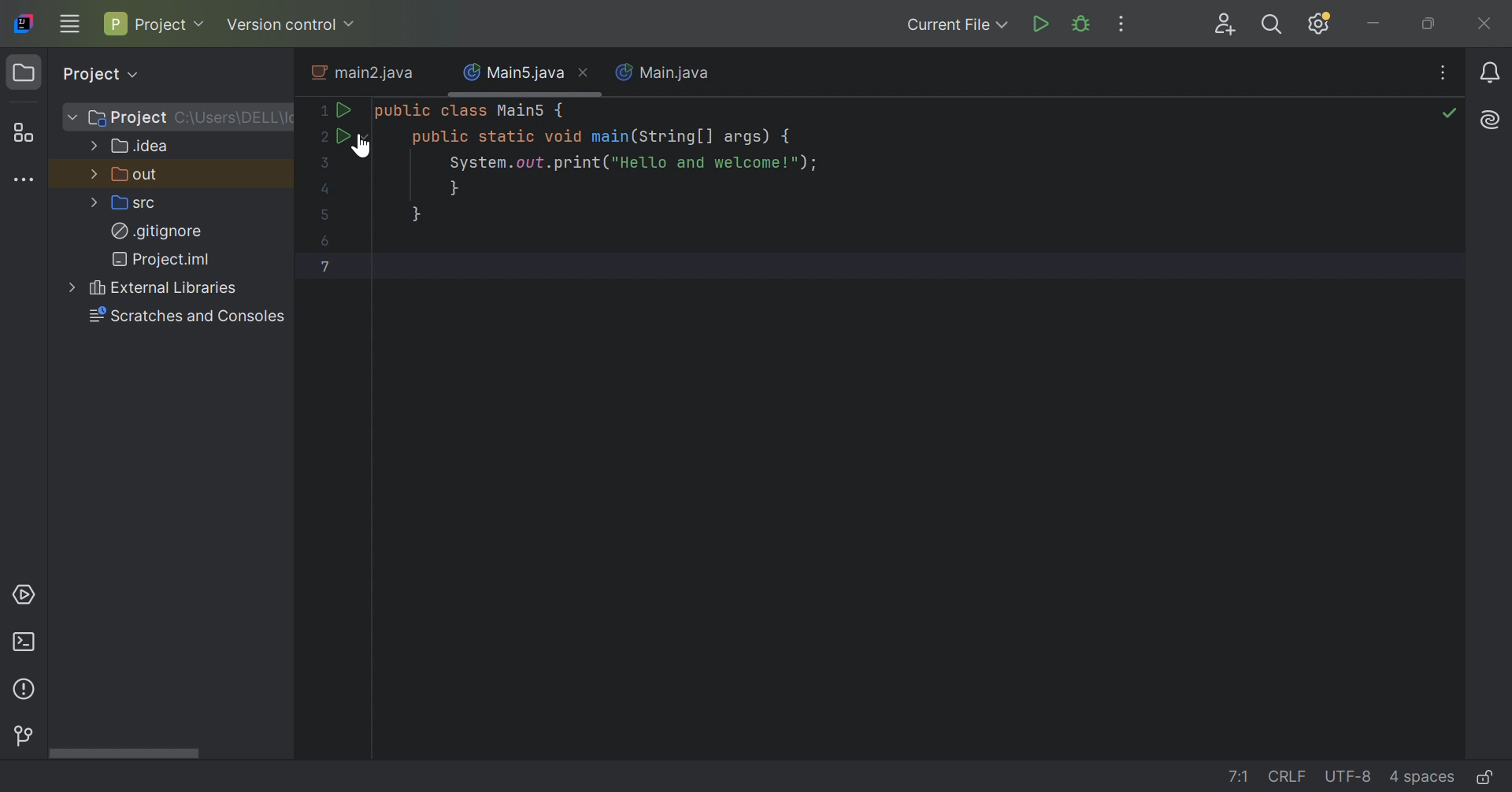 This screenshot has height=792, width=1512. What do you see at coordinates (1239, 777) in the screenshot?
I see `7:1` at bounding box center [1239, 777].